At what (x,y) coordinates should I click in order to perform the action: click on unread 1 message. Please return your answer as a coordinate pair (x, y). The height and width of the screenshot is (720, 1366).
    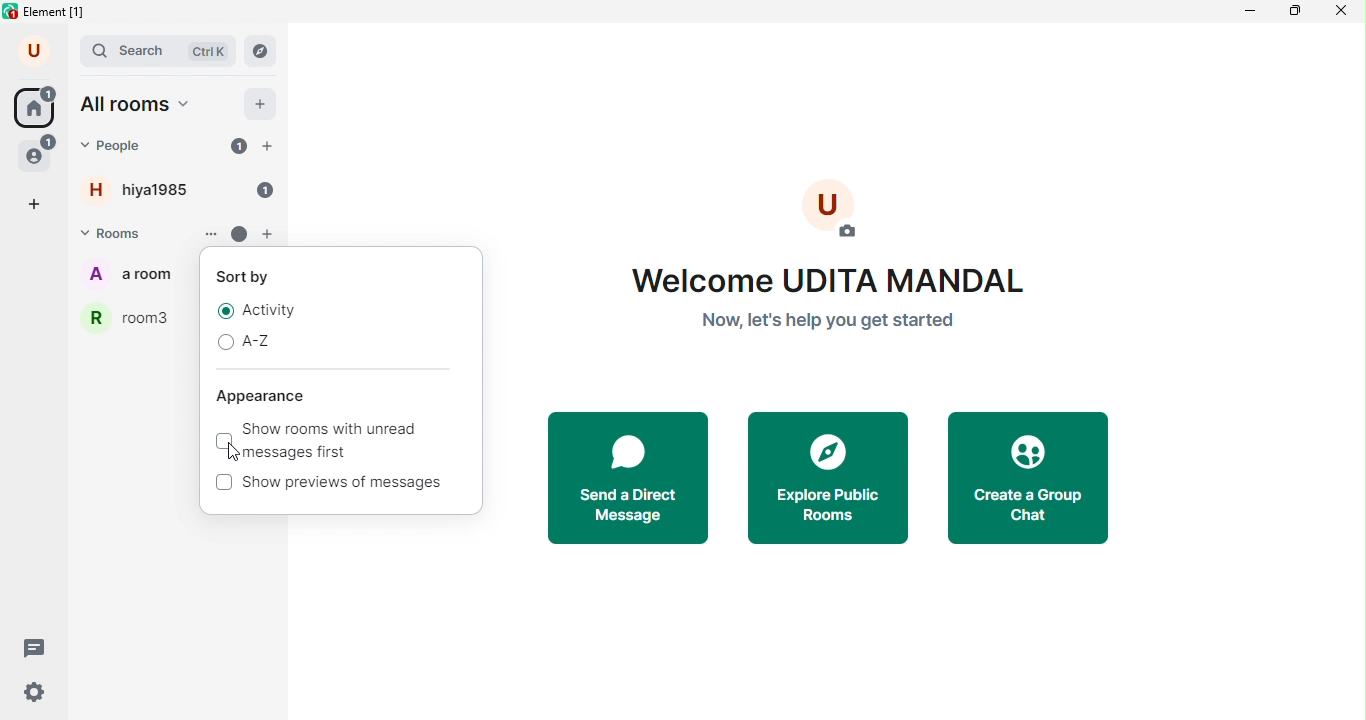
    Looking at the image, I should click on (268, 192).